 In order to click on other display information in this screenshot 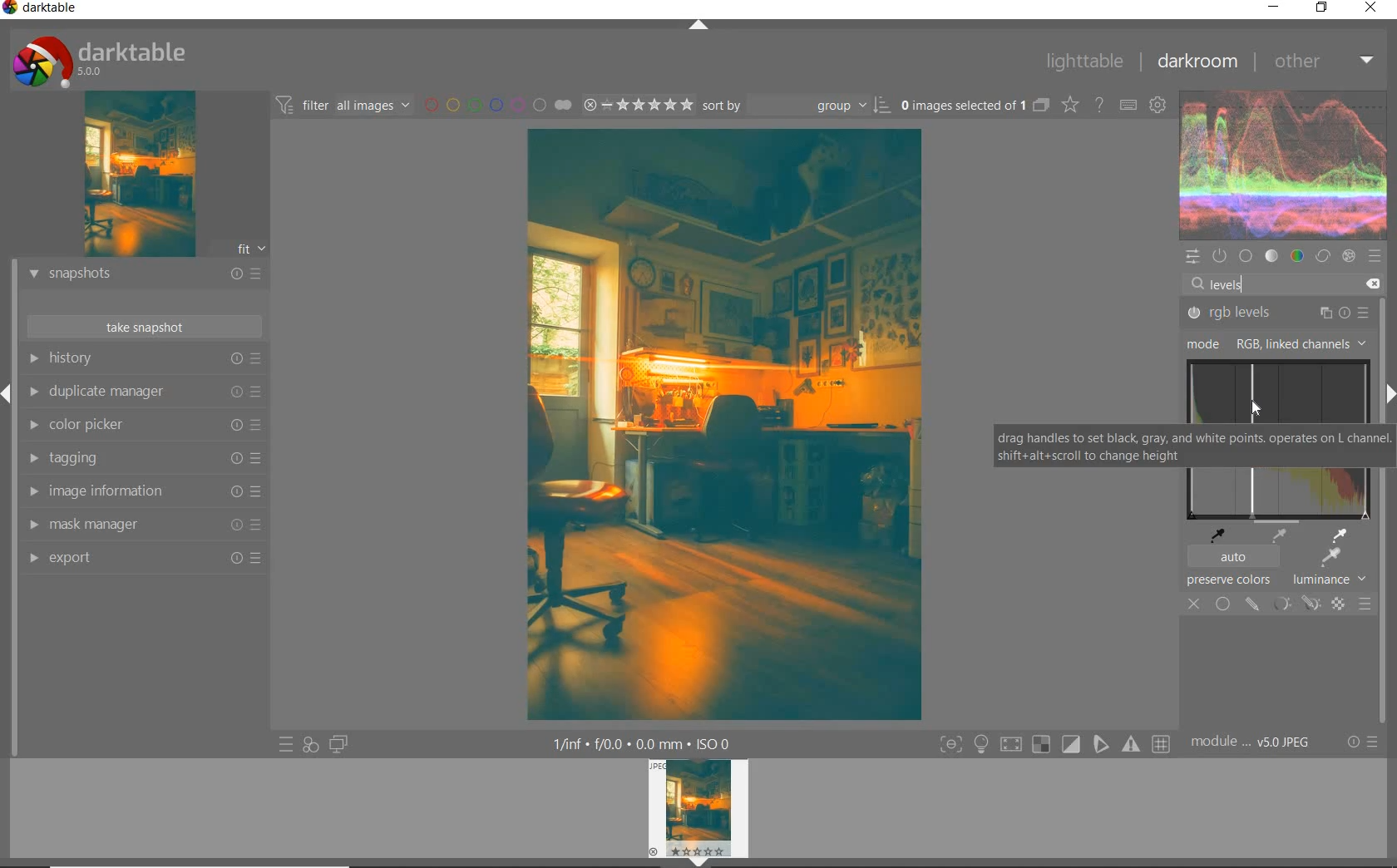, I will do `click(643, 742)`.